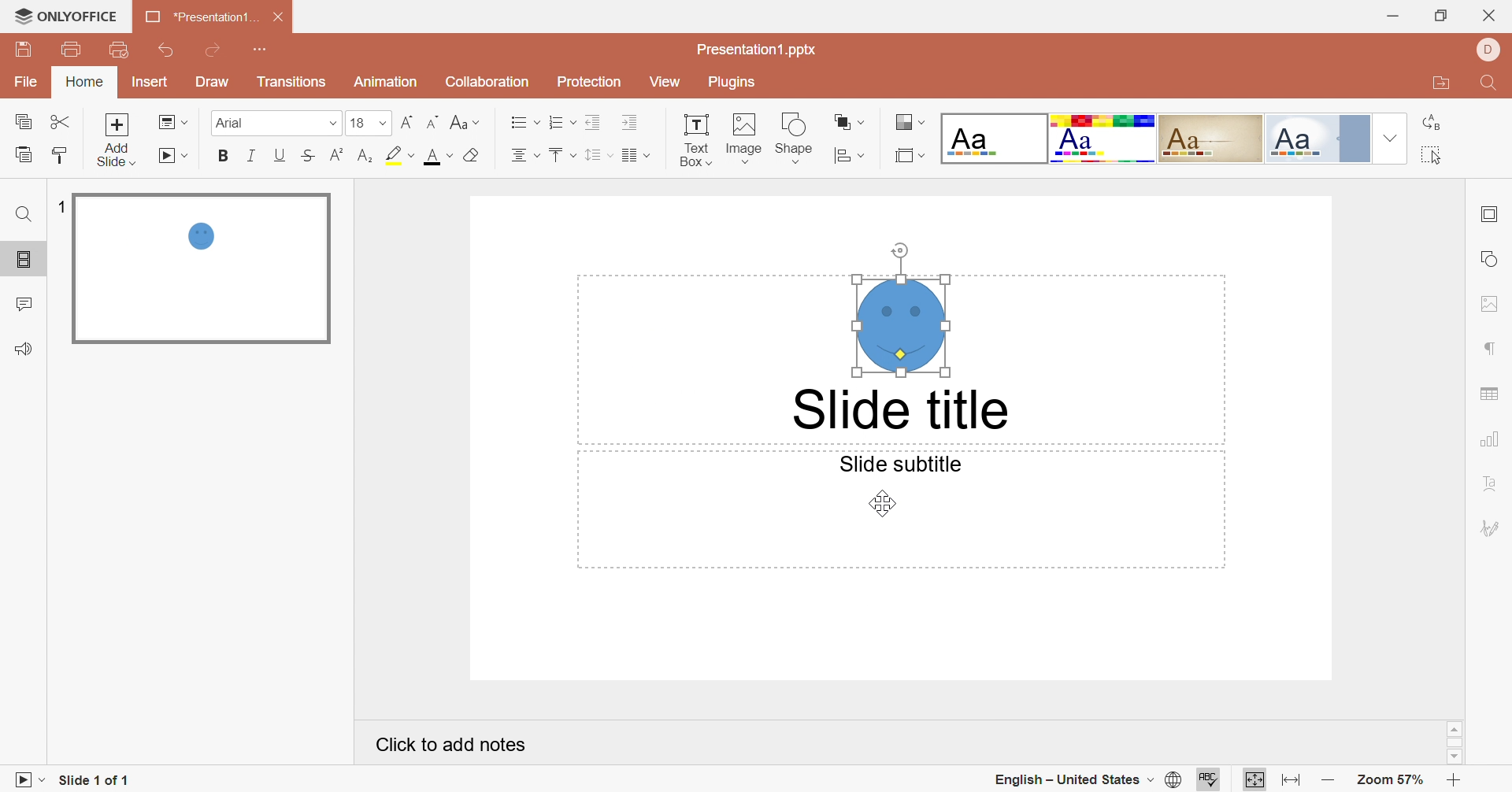  What do you see at coordinates (1493, 439) in the screenshot?
I see `chart settings` at bounding box center [1493, 439].